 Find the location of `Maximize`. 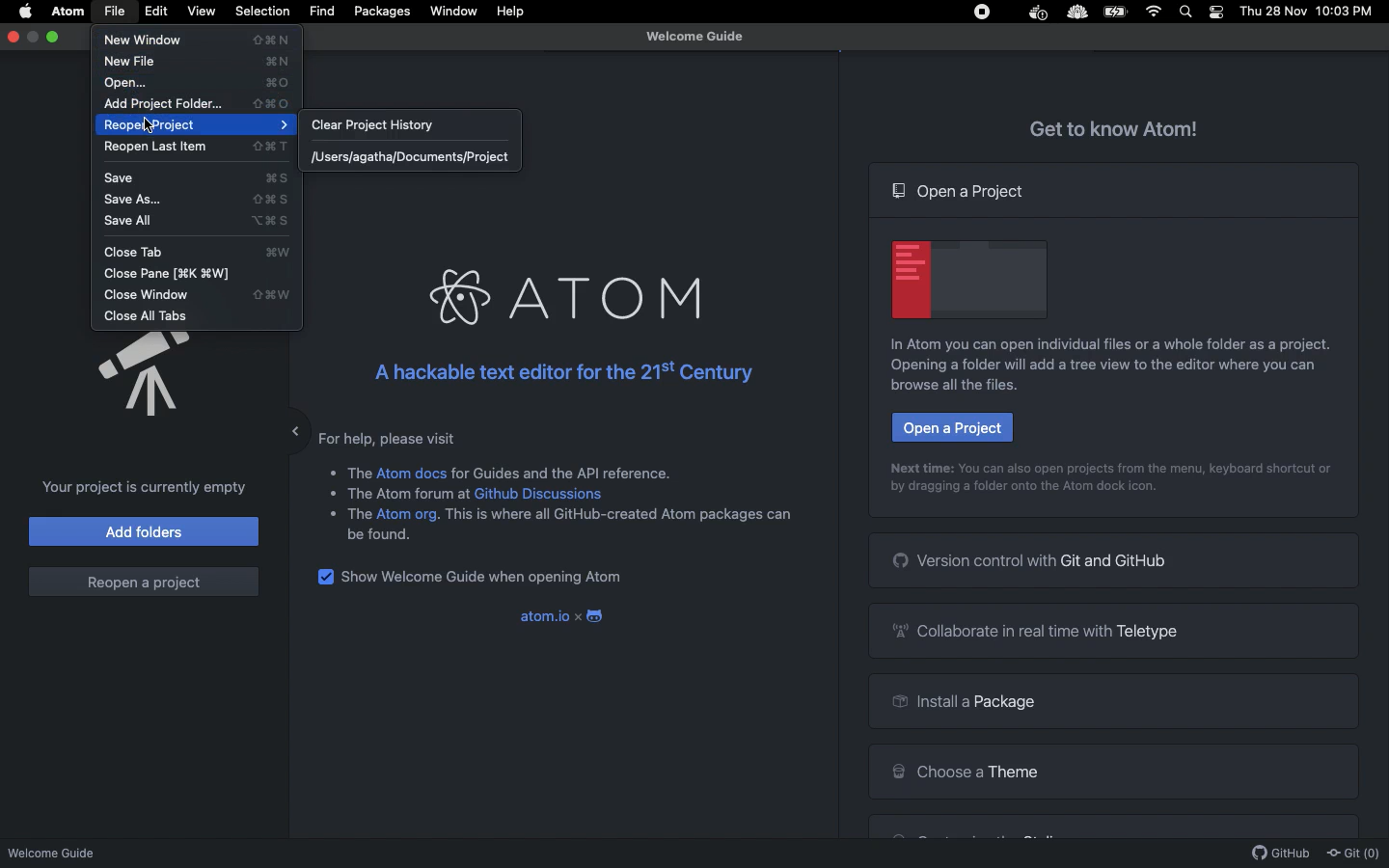

Maximize is located at coordinates (55, 37).